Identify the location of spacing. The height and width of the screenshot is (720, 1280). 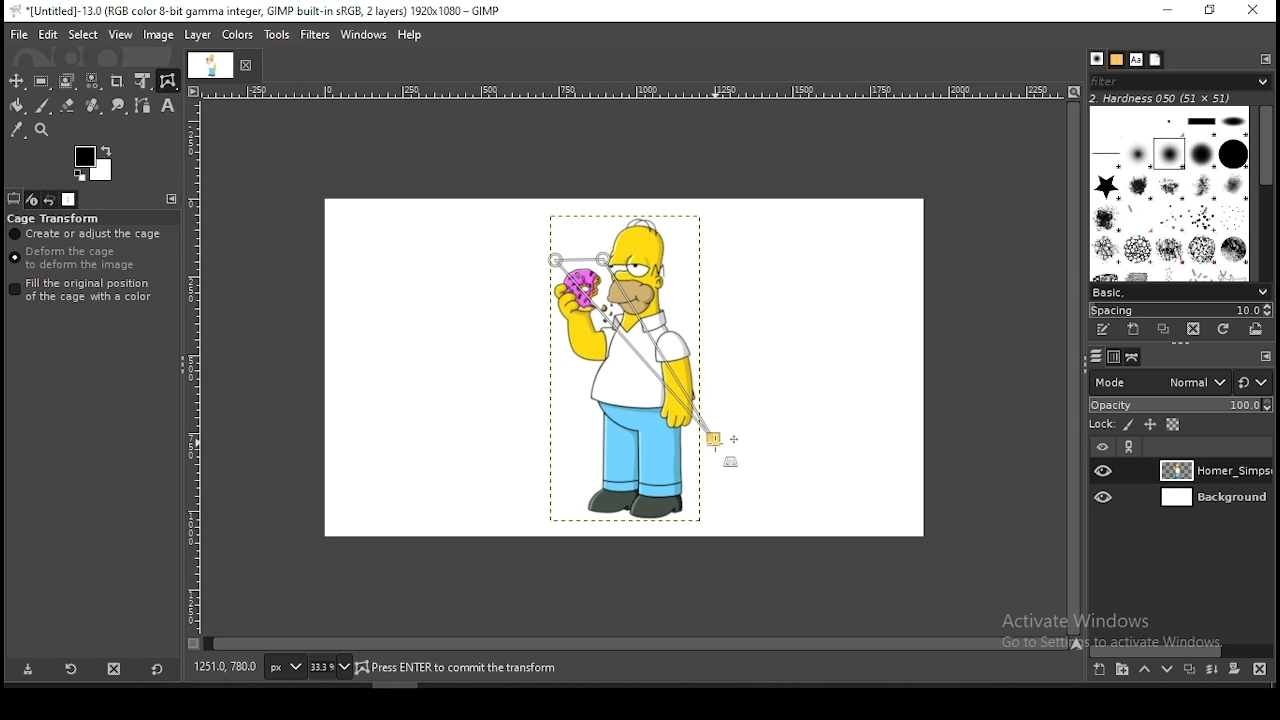
(1180, 309).